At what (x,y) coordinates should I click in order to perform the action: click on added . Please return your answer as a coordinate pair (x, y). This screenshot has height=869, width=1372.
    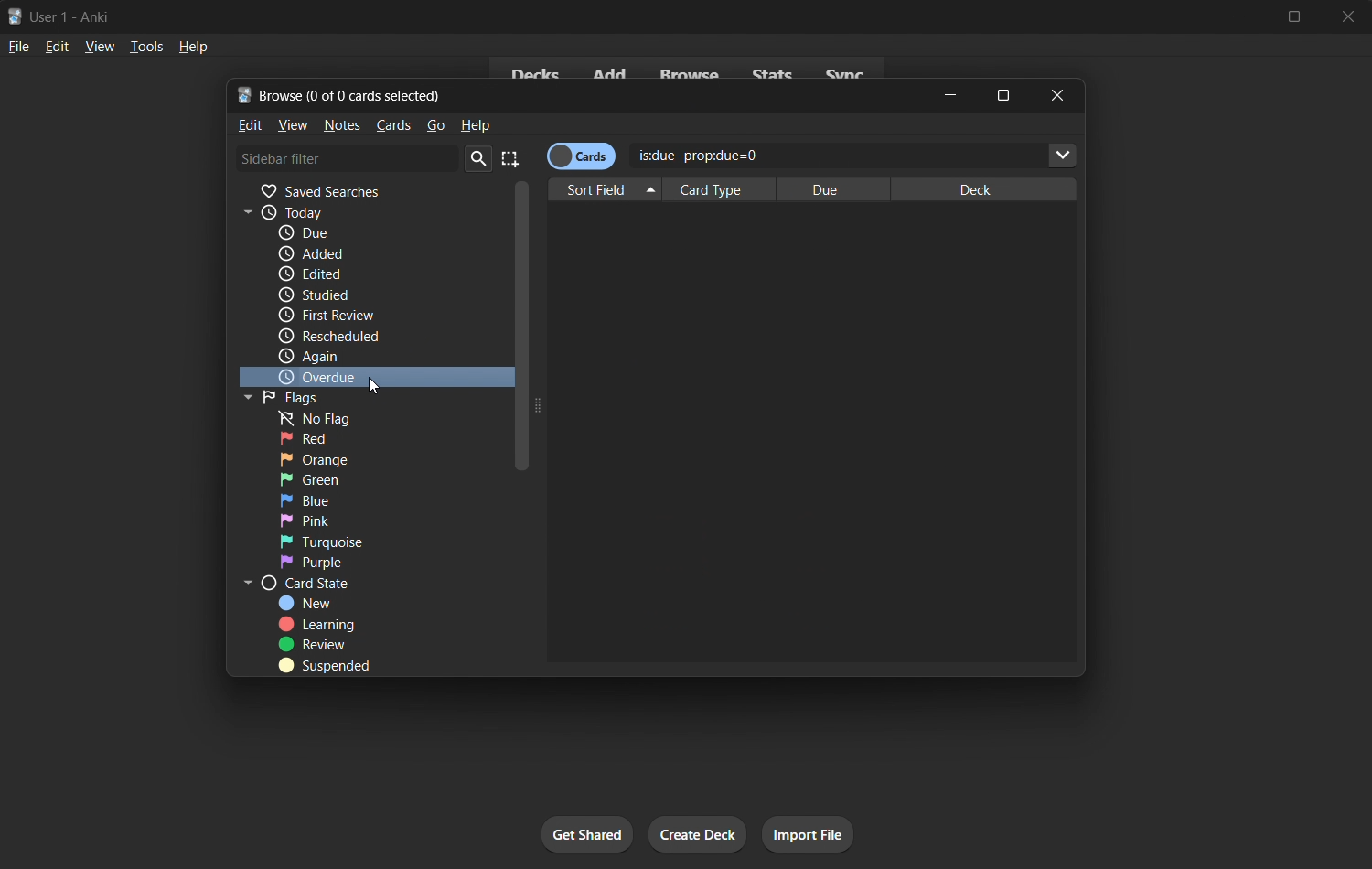
    Looking at the image, I should click on (365, 252).